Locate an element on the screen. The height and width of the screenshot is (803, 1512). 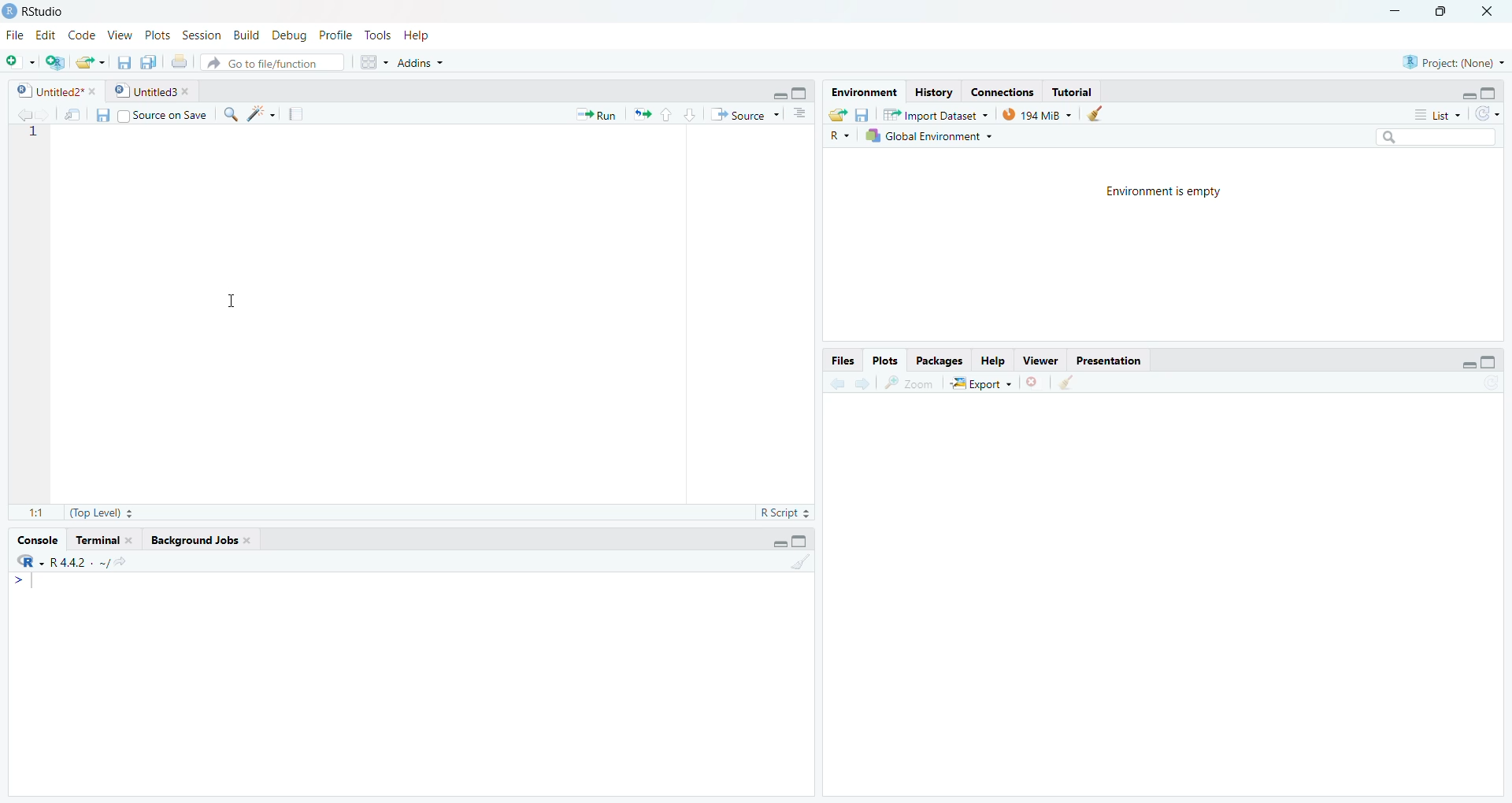
Cleaner objects is located at coordinates (1100, 114).